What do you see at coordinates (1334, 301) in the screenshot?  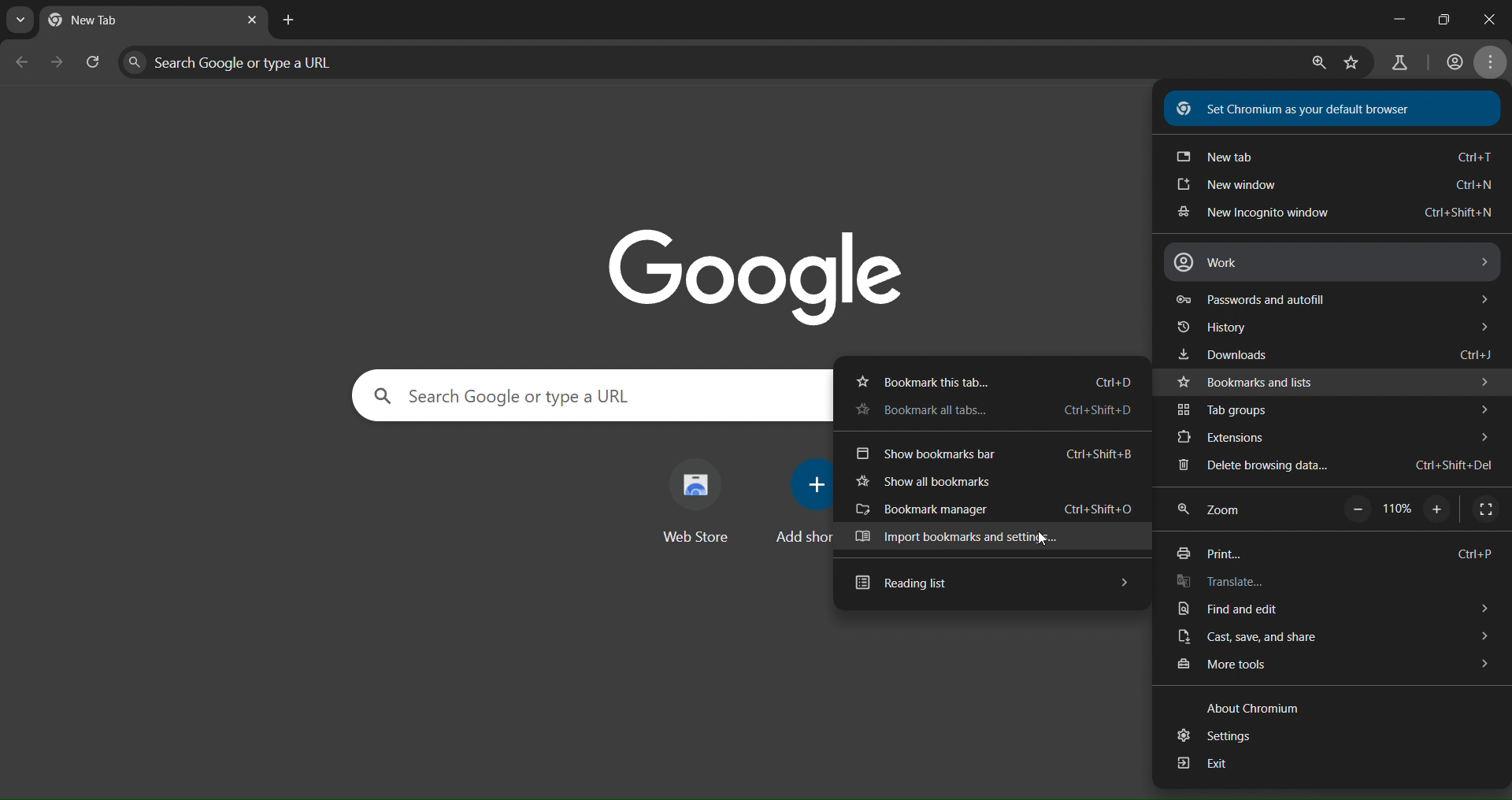 I see `passwords and autofill` at bounding box center [1334, 301].